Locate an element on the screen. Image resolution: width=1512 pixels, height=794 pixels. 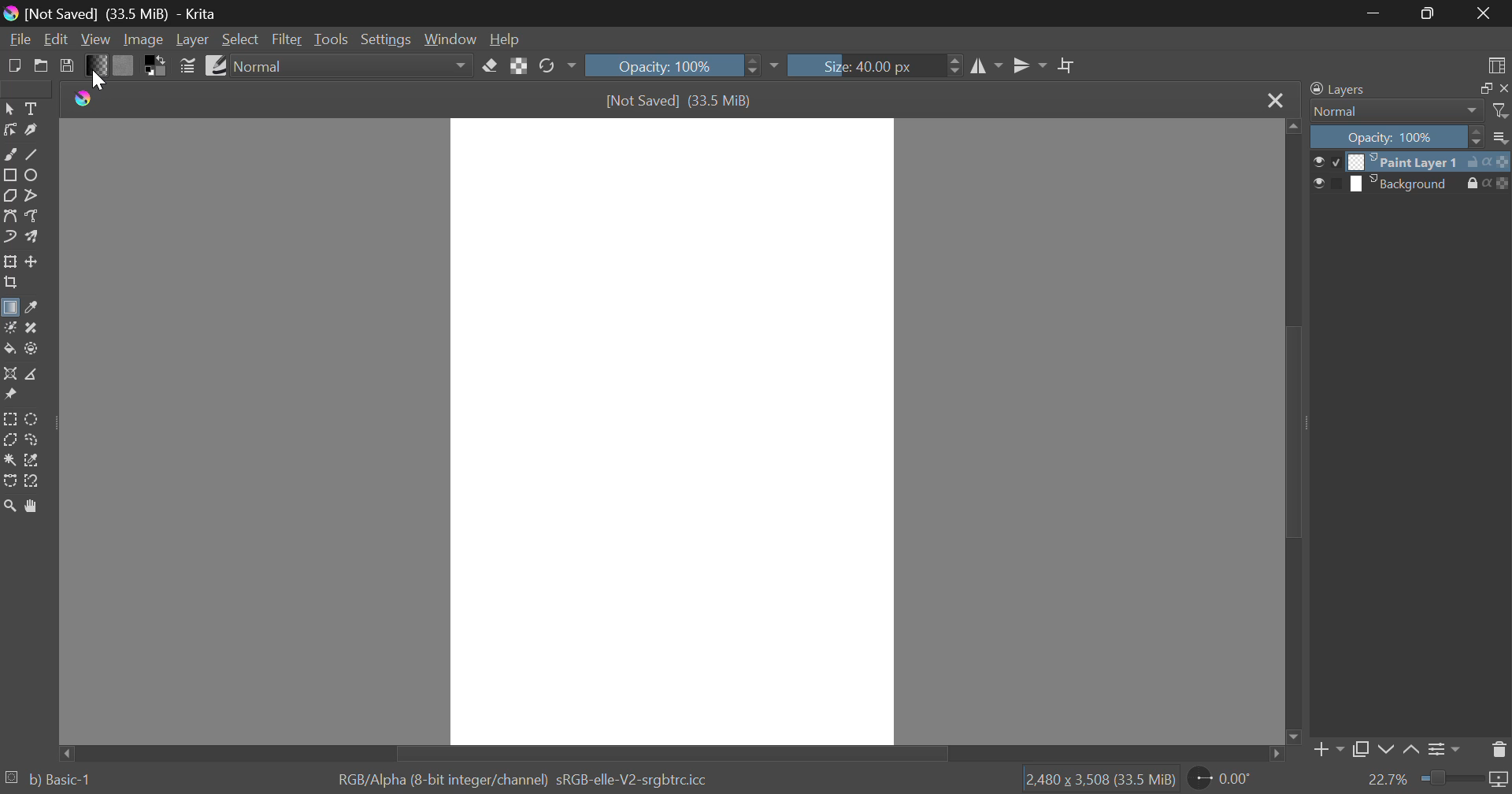
Filter is located at coordinates (288, 39).